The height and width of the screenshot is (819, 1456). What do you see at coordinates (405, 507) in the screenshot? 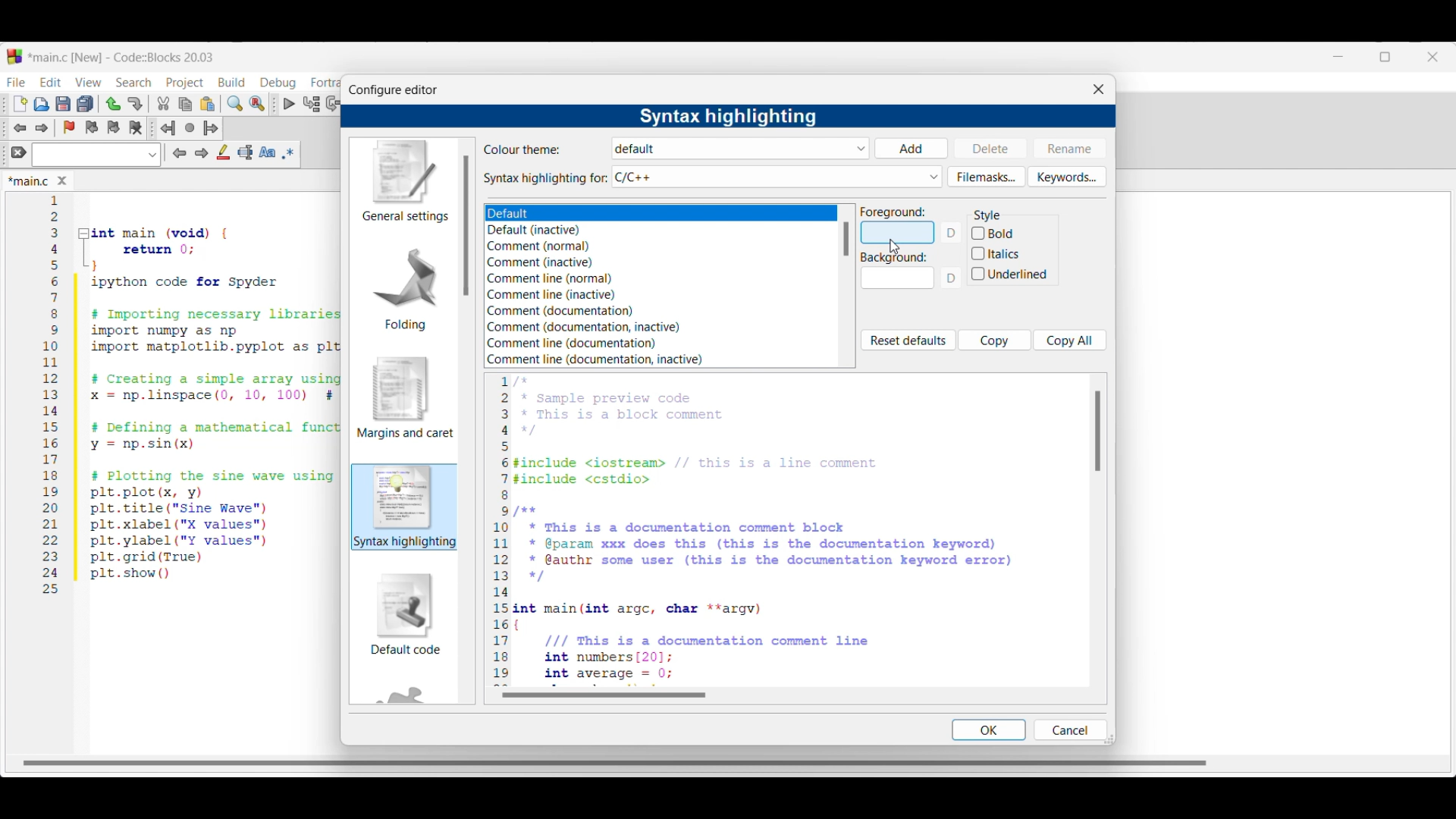
I see `Current setting highlighted` at bounding box center [405, 507].